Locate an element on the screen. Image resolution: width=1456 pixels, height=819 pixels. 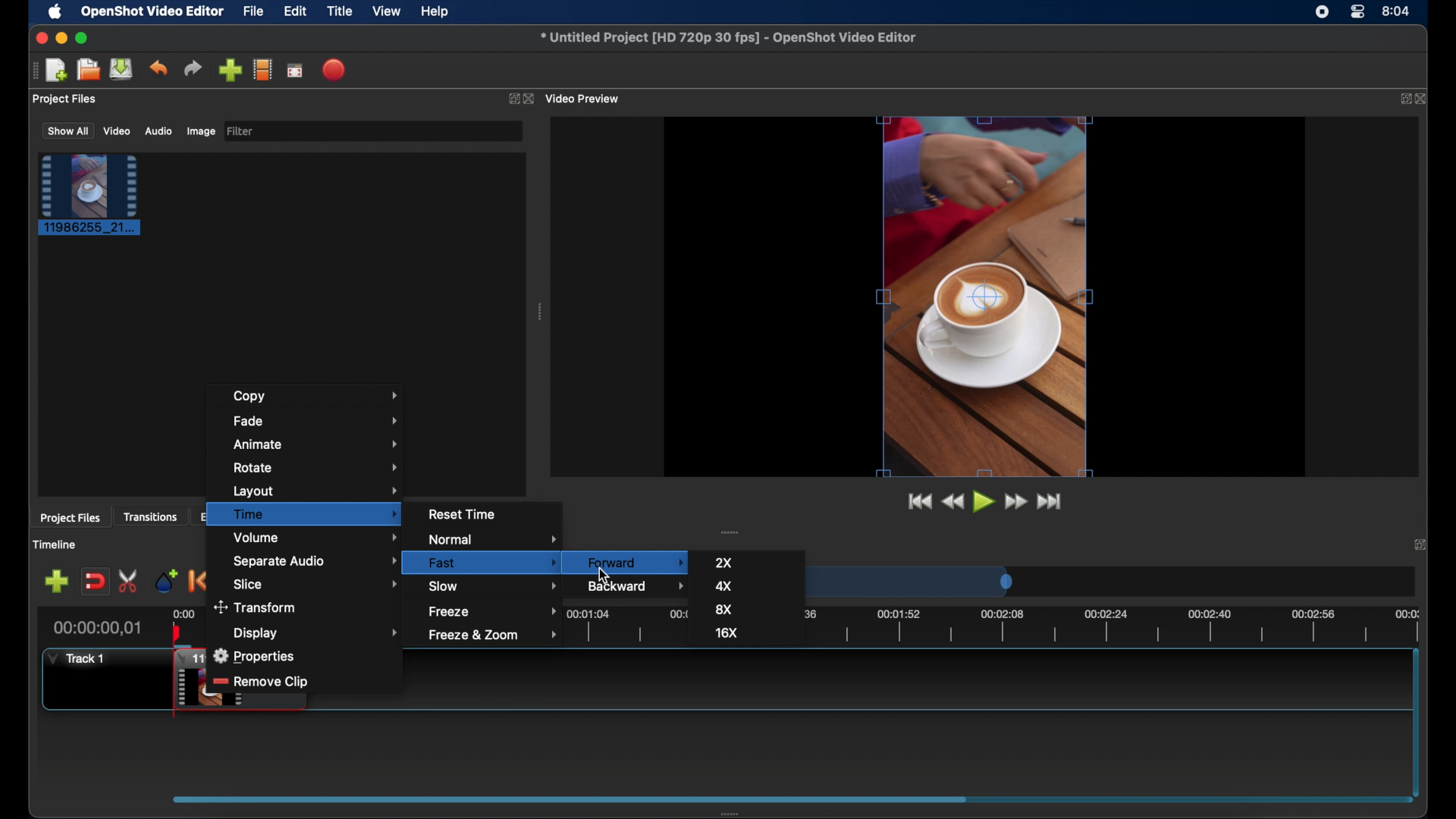
fade menu is located at coordinates (318, 421).